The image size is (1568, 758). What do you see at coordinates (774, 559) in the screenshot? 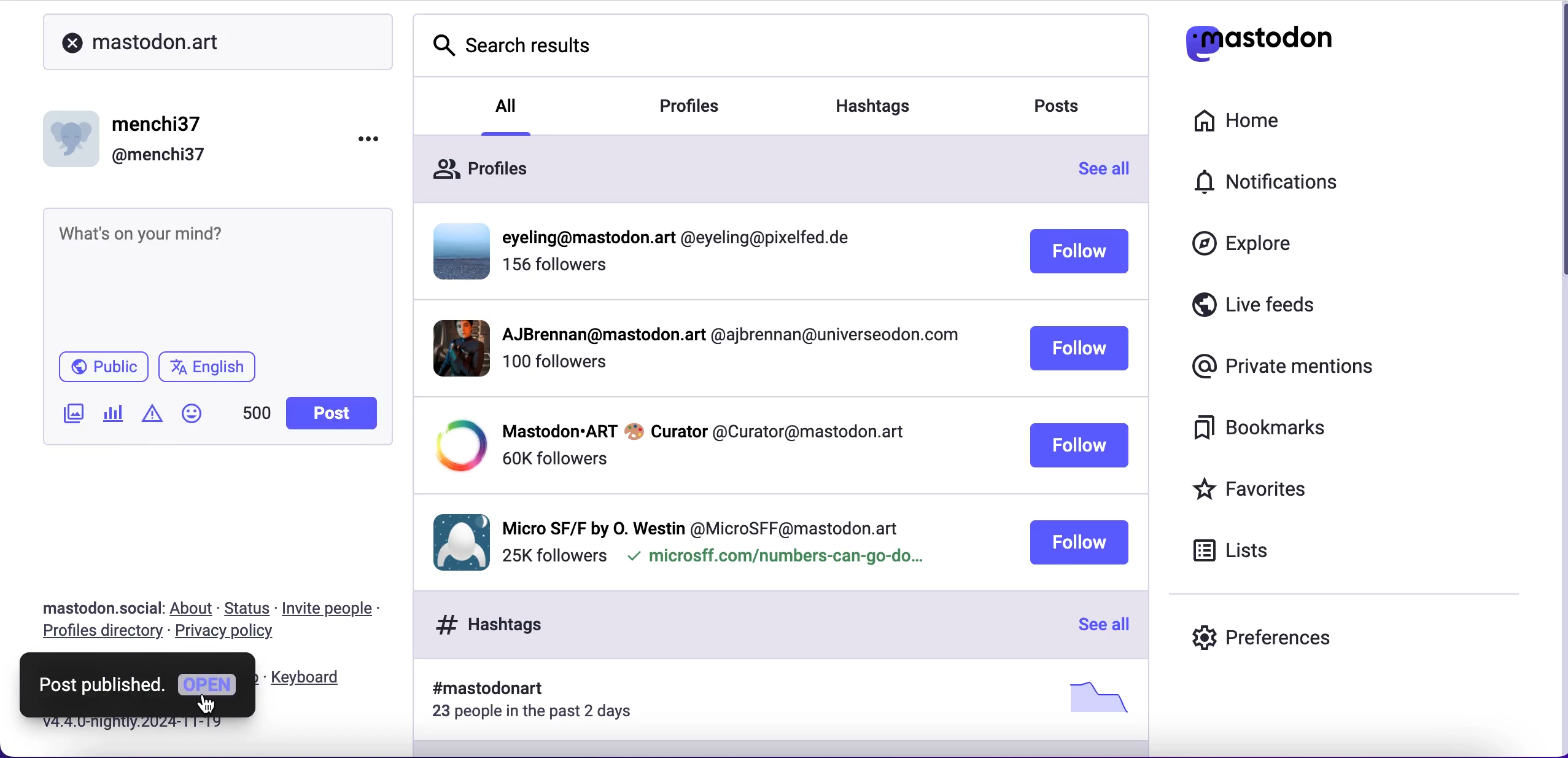
I see `microsff` at bounding box center [774, 559].